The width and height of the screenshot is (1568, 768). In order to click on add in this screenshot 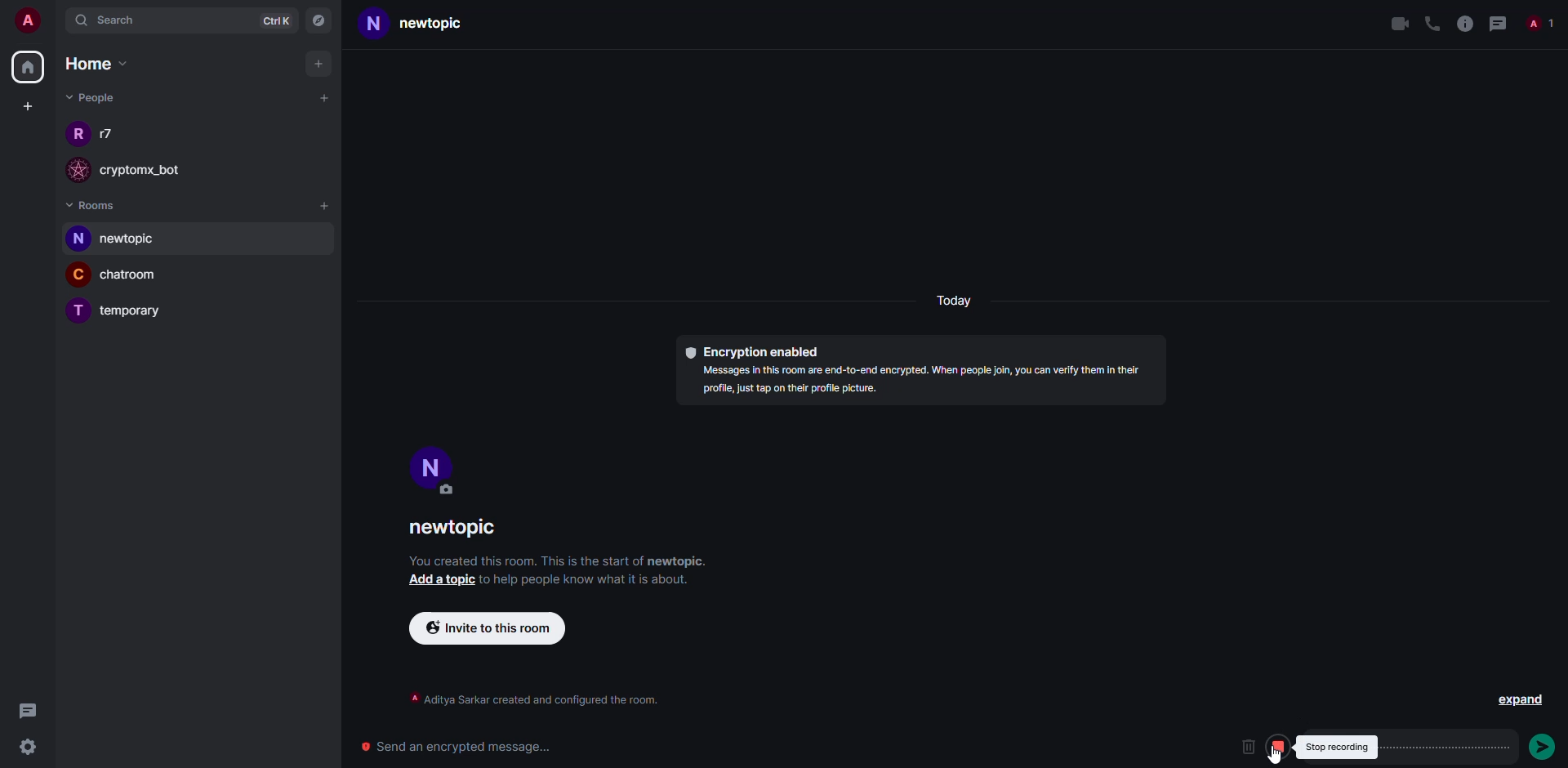, I will do `click(316, 63)`.